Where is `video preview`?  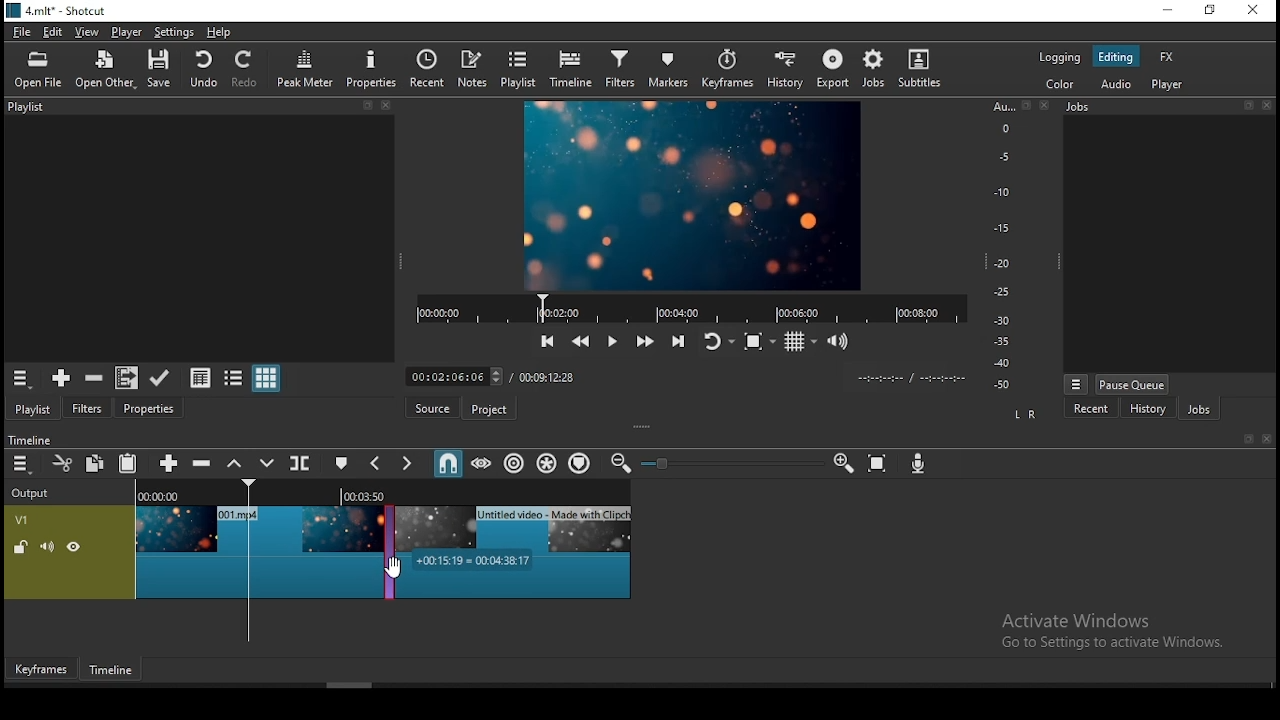
video preview is located at coordinates (691, 195).